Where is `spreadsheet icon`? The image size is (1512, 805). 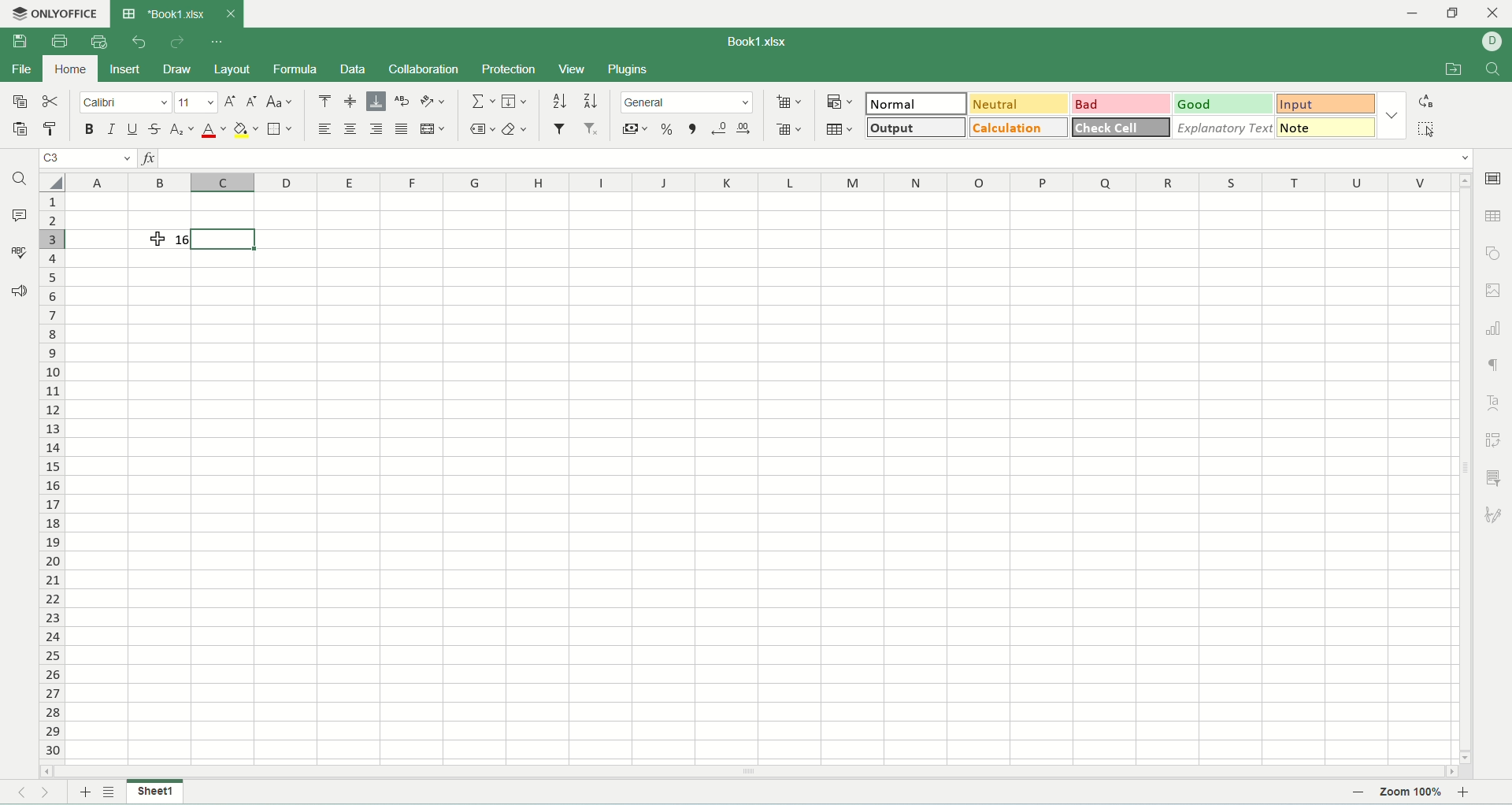
spreadsheet icon is located at coordinates (128, 14).